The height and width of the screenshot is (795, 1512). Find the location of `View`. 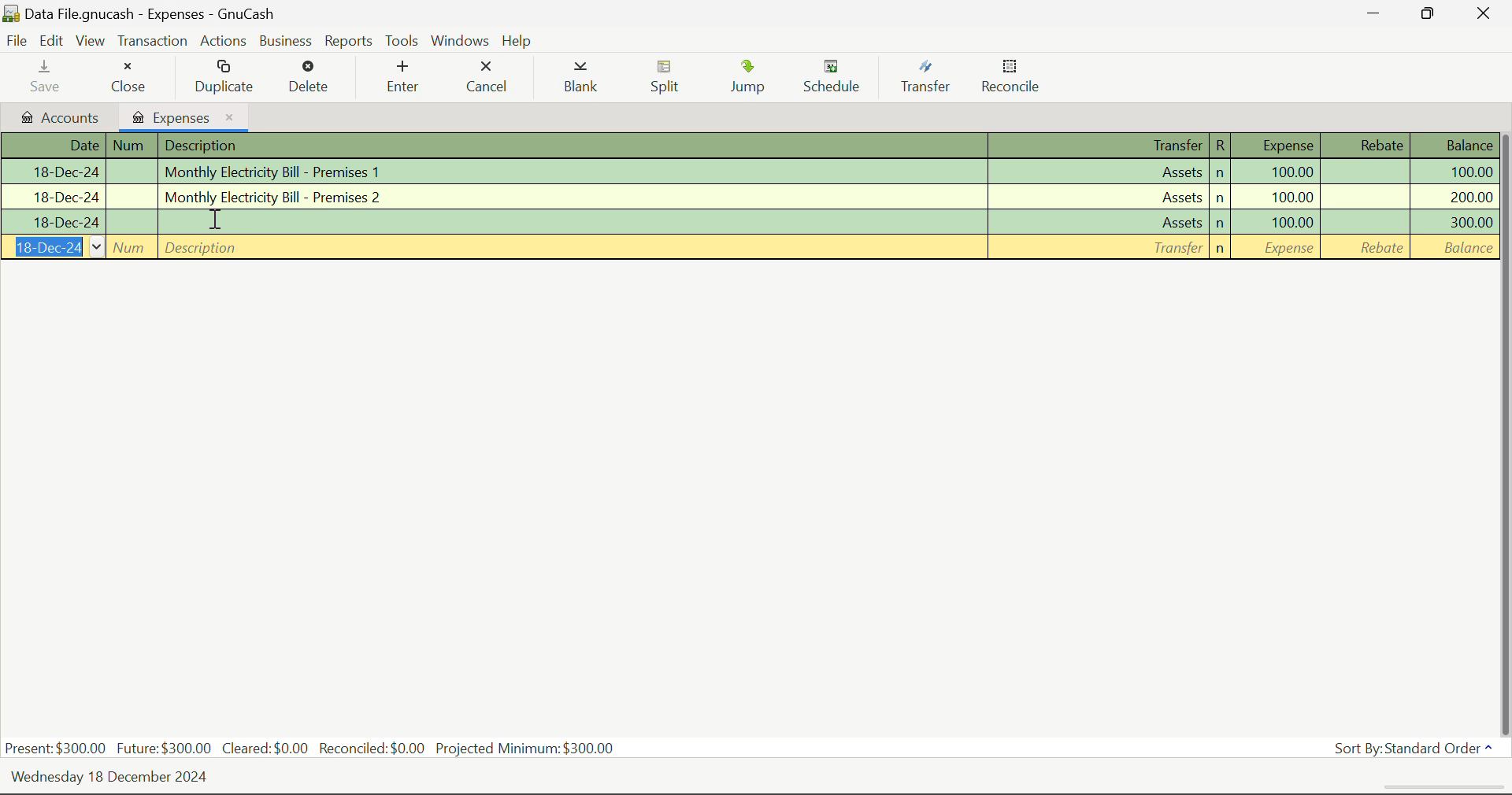

View is located at coordinates (91, 44).